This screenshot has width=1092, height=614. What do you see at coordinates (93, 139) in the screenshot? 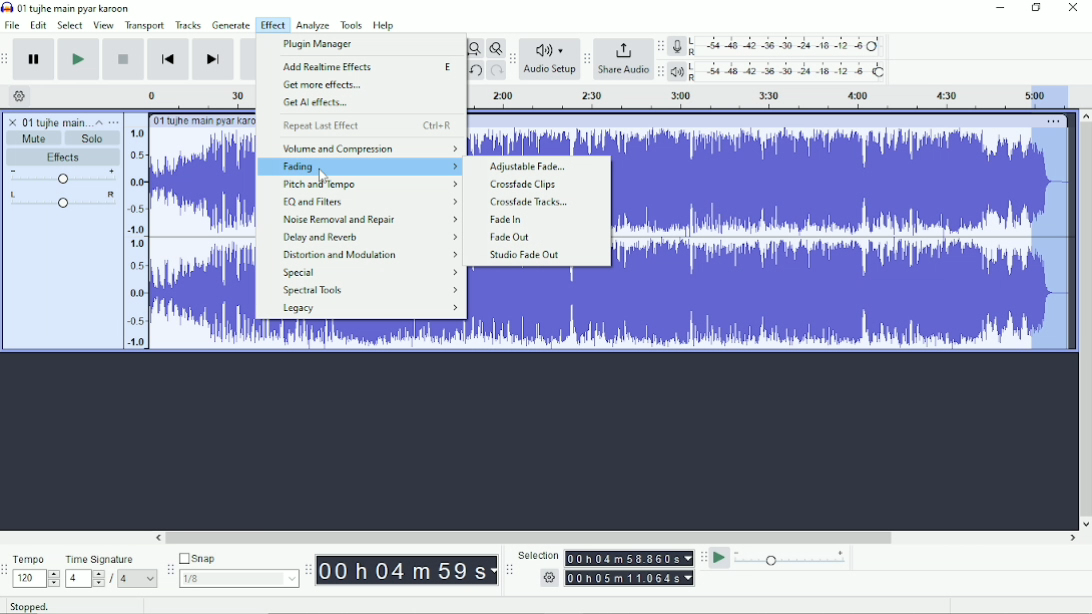
I see `Solo` at bounding box center [93, 139].